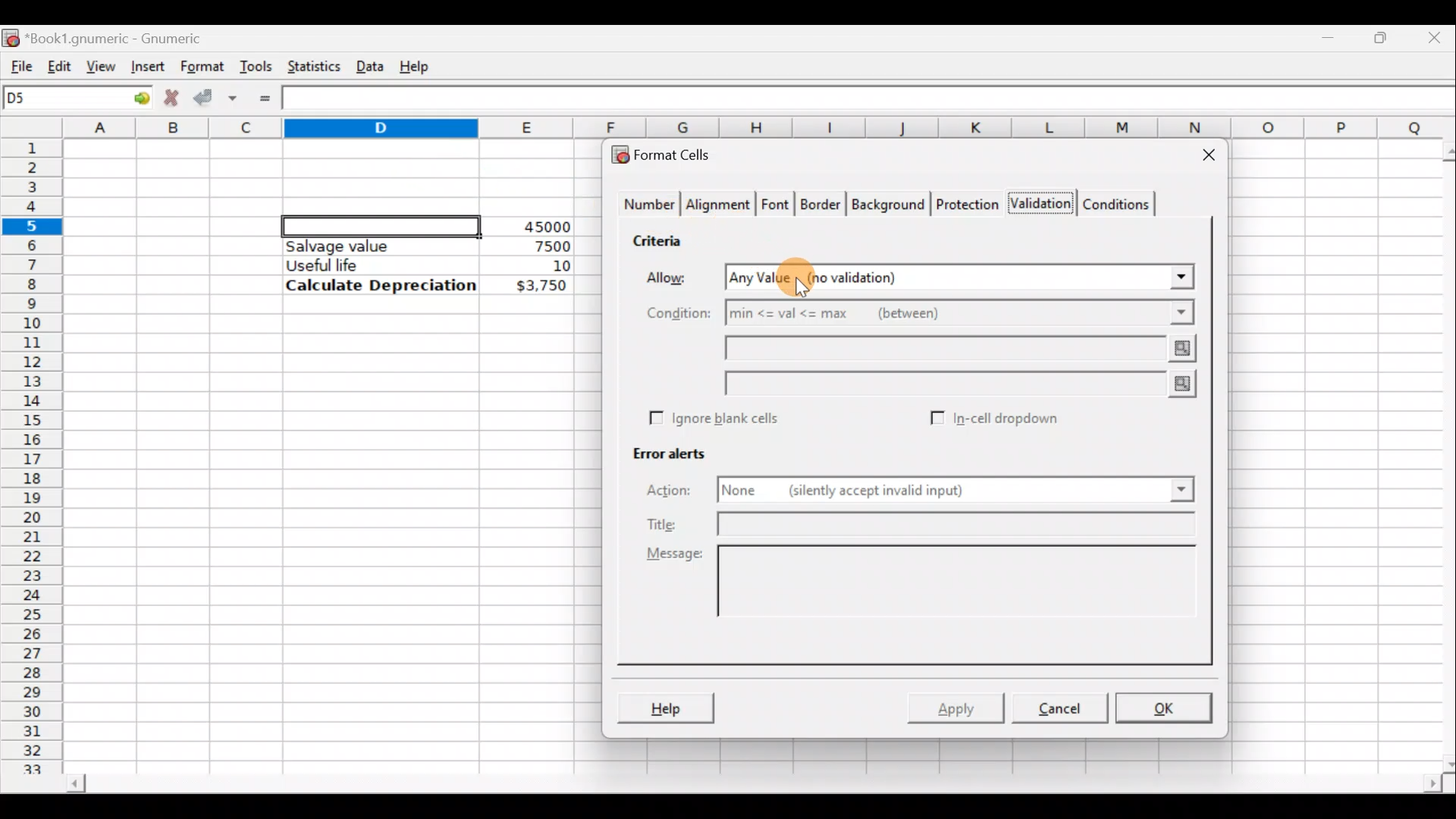  Describe the element at coordinates (1057, 707) in the screenshot. I see `Cancel` at that location.